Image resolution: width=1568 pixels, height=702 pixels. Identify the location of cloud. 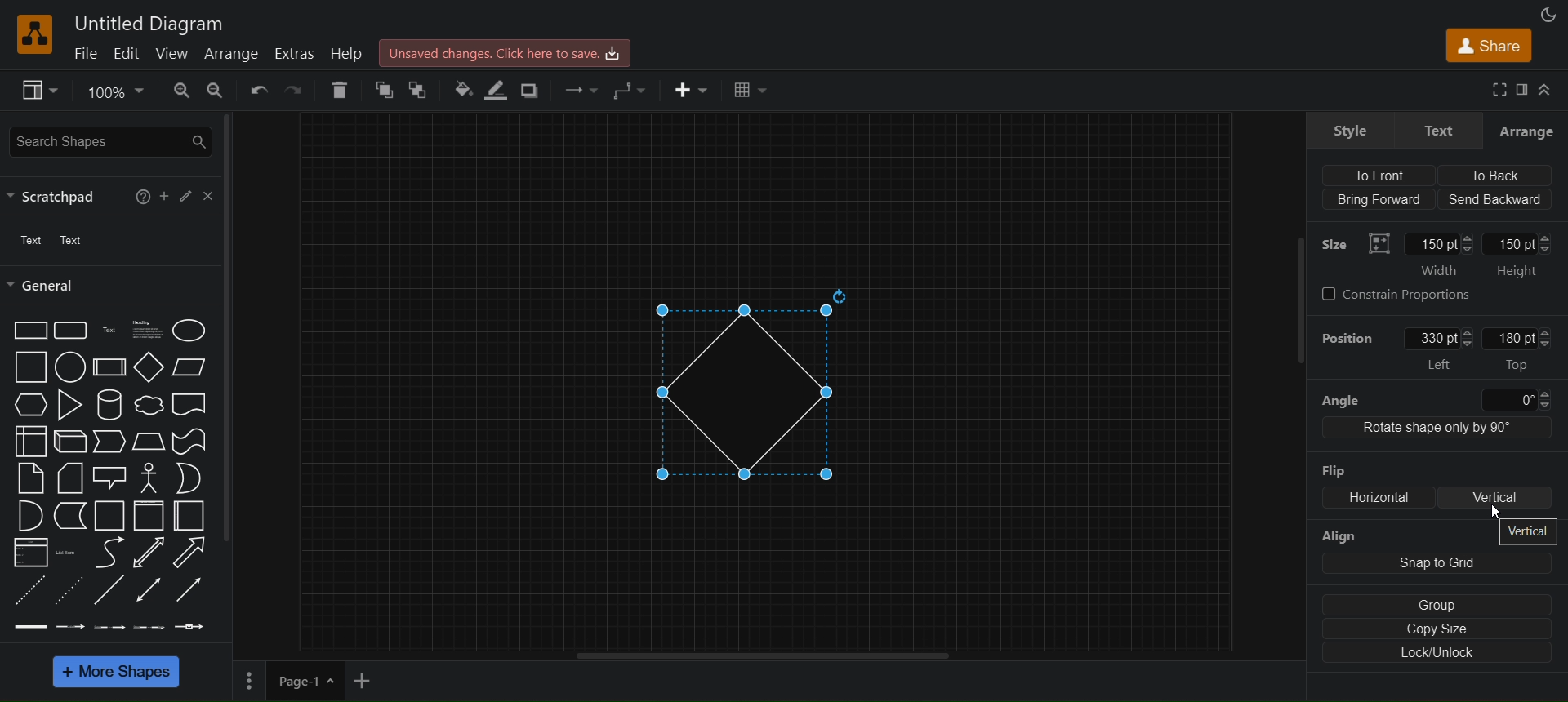
(149, 406).